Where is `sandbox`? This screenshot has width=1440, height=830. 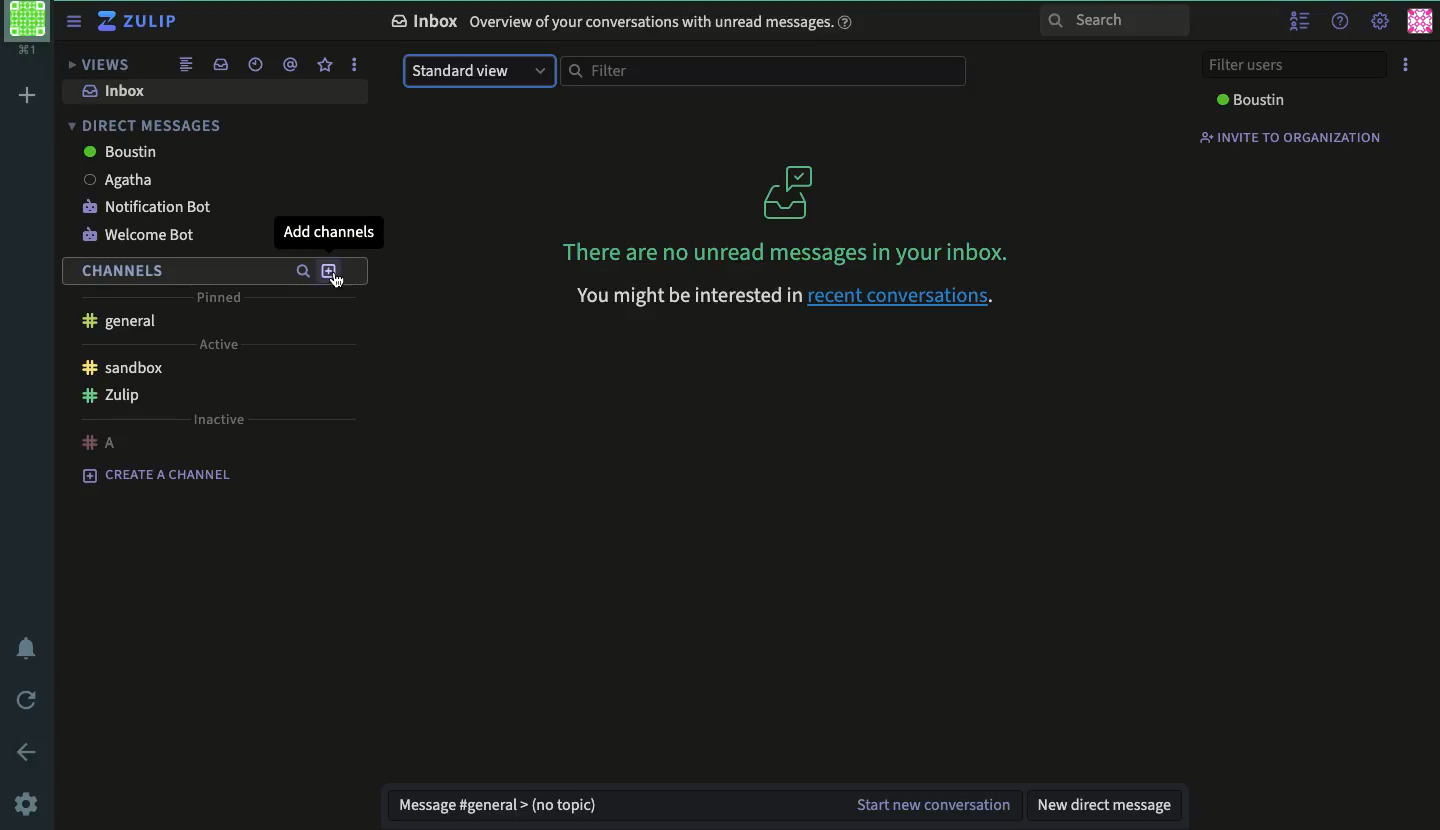 sandbox is located at coordinates (119, 368).